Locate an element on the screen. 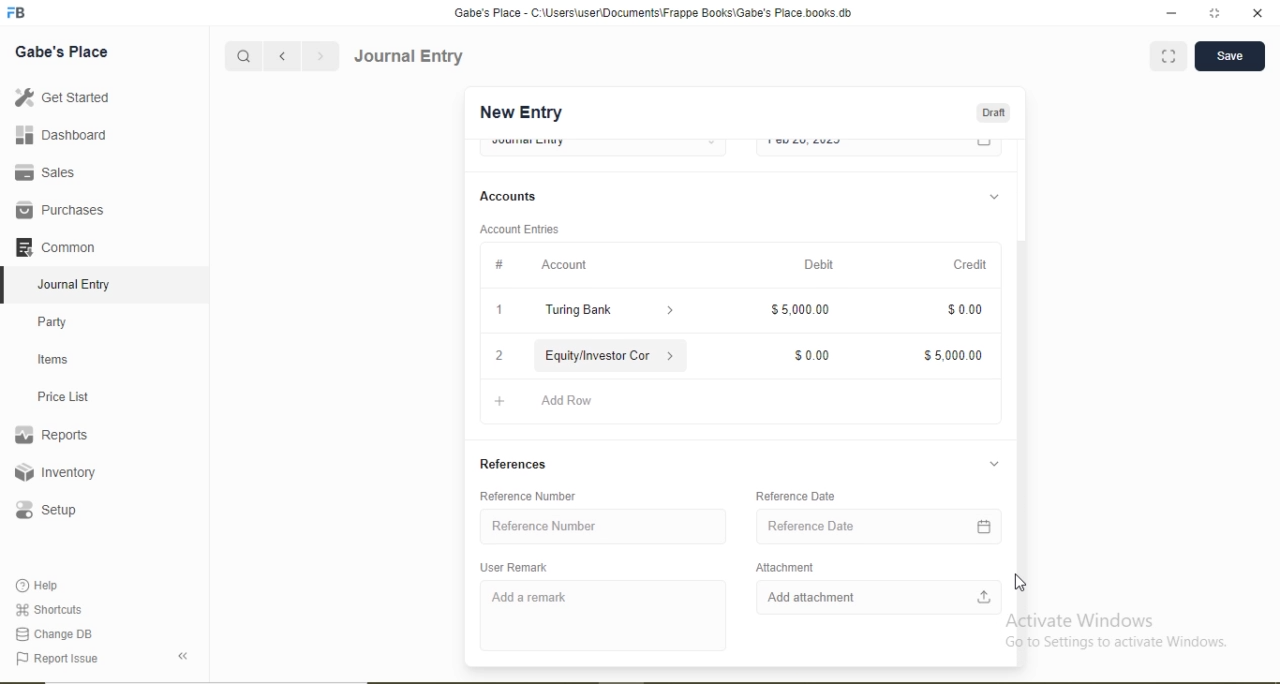 The image size is (1280, 684). $5,000.00 is located at coordinates (800, 308).